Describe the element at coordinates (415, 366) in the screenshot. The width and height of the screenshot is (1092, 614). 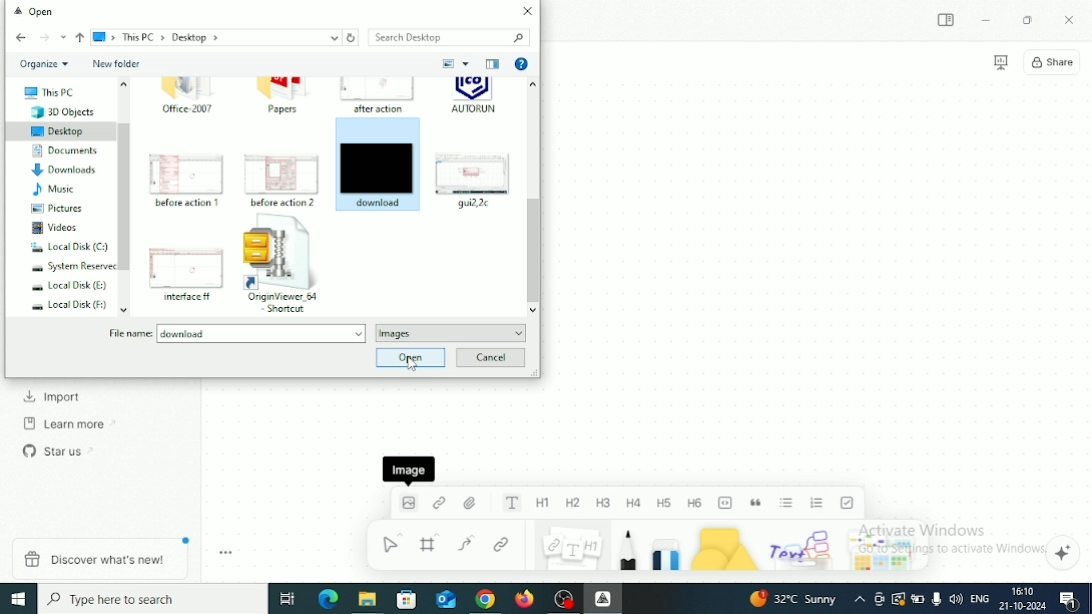
I see `Cursor` at that location.